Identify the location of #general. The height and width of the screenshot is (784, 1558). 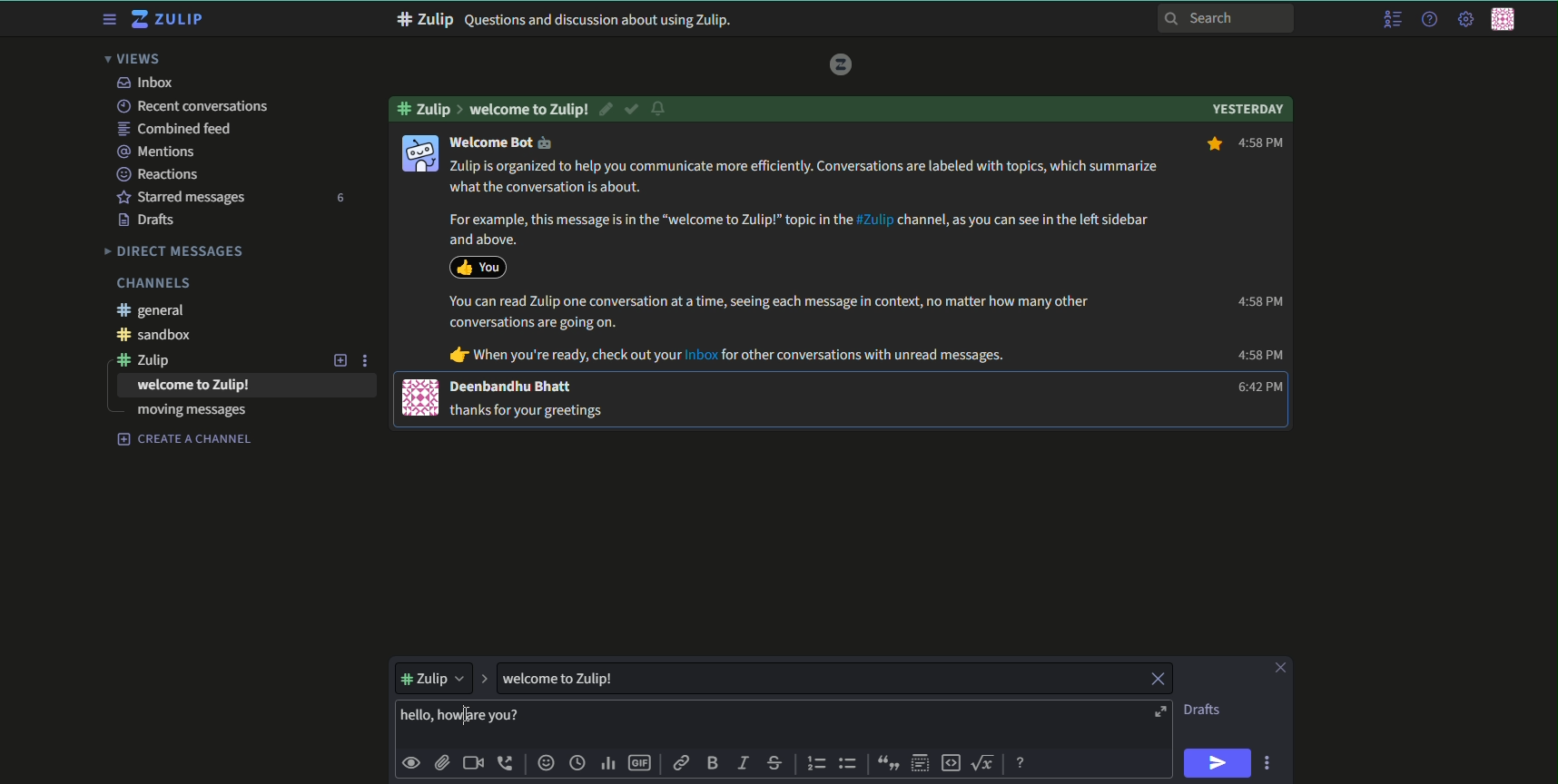
(156, 310).